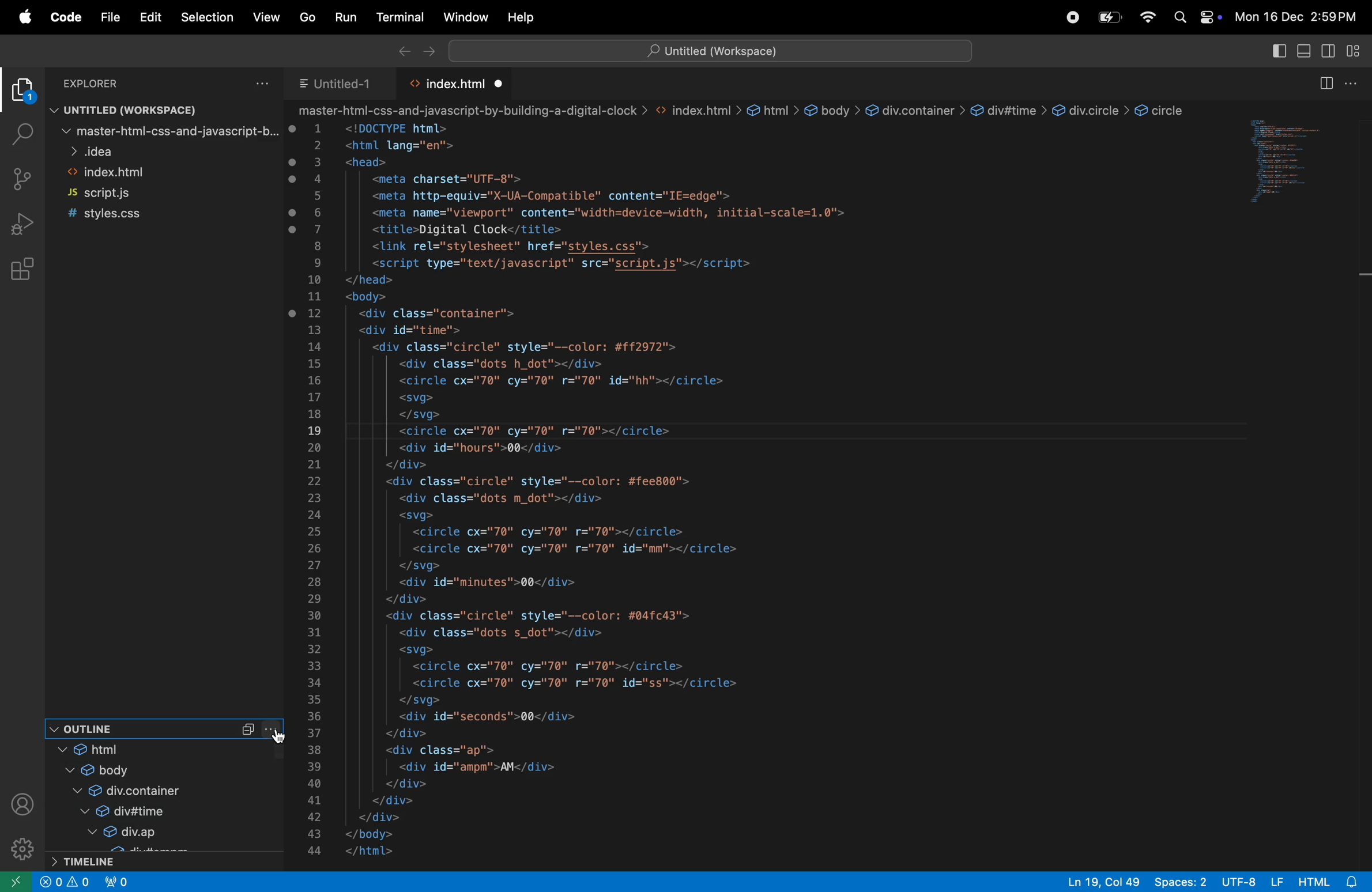 The image size is (1372, 892). What do you see at coordinates (1148, 18) in the screenshot?
I see `wifi` at bounding box center [1148, 18].